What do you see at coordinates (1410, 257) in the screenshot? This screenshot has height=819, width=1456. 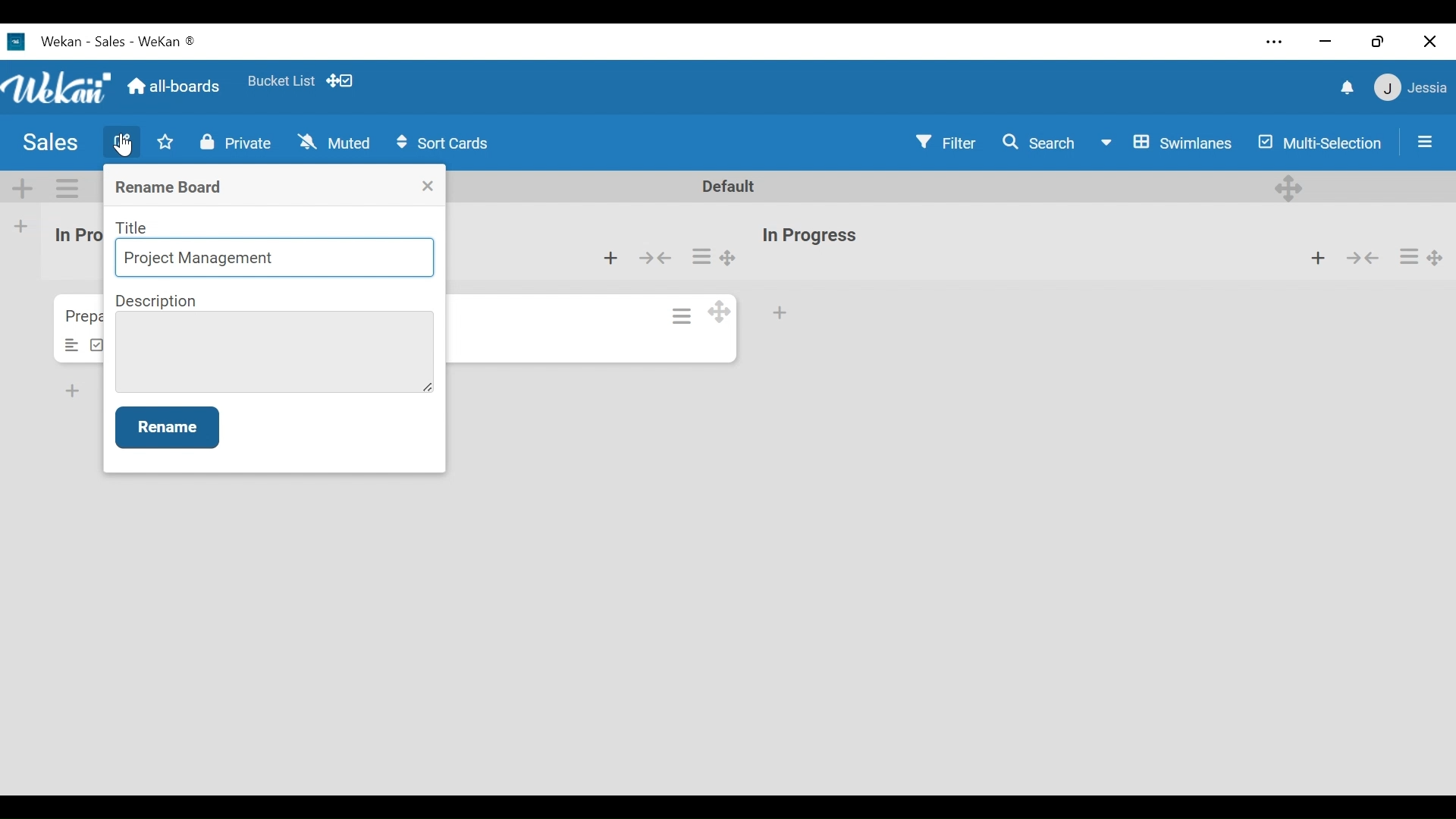 I see `list actions` at bounding box center [1410, 257].